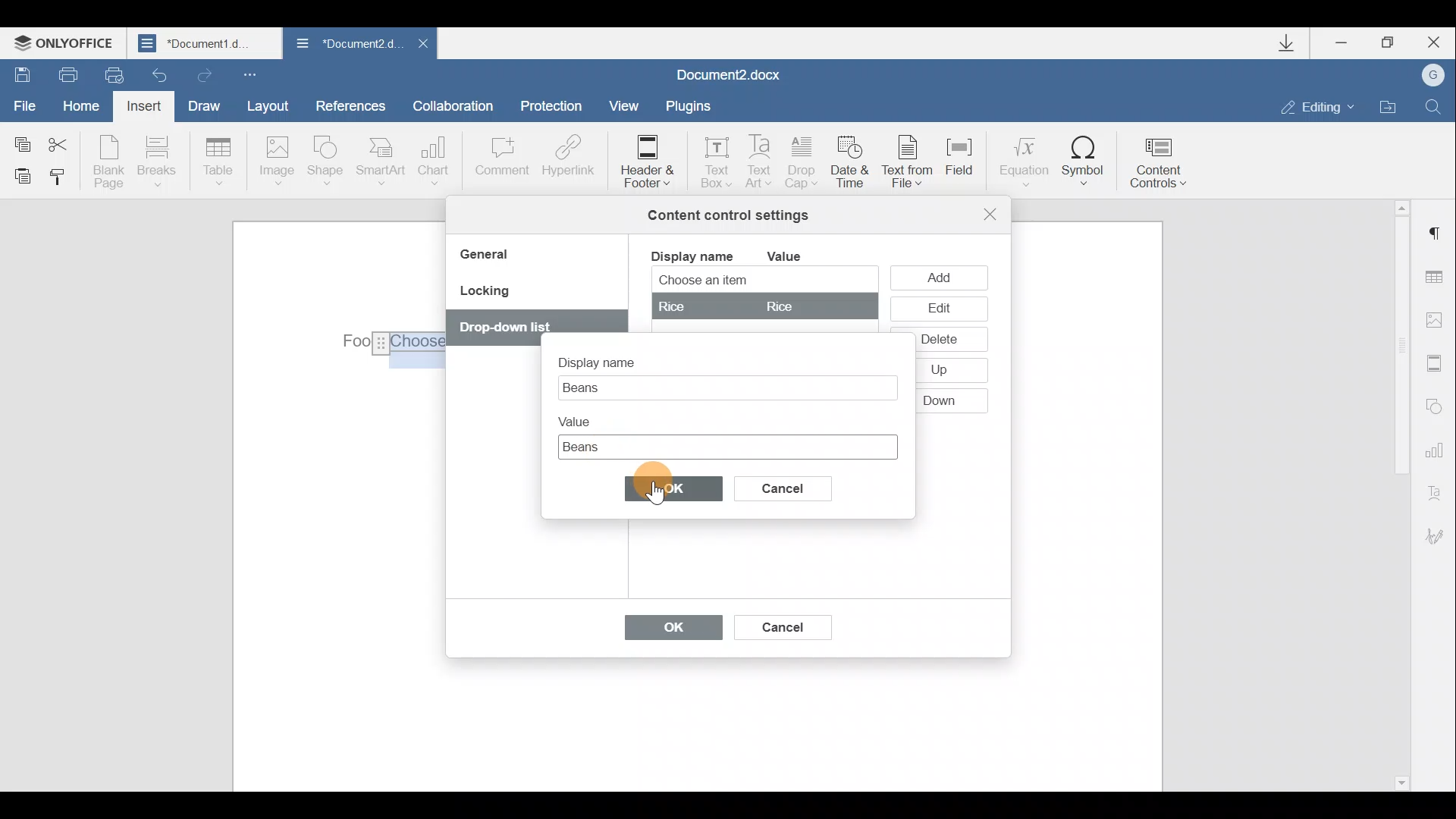 The image size is (1456, 819). I want to click on Insert, so click(146, 109).